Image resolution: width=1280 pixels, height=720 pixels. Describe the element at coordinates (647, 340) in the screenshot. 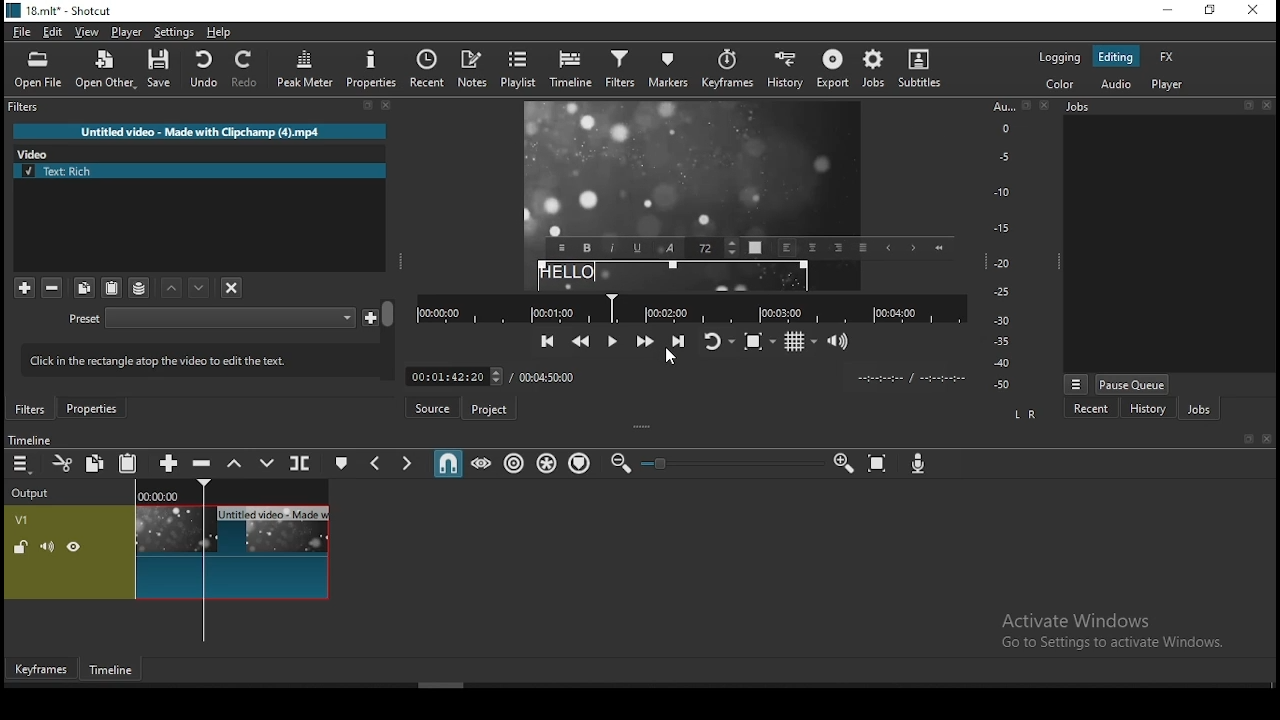

I see `play quickly forwards` at that location.